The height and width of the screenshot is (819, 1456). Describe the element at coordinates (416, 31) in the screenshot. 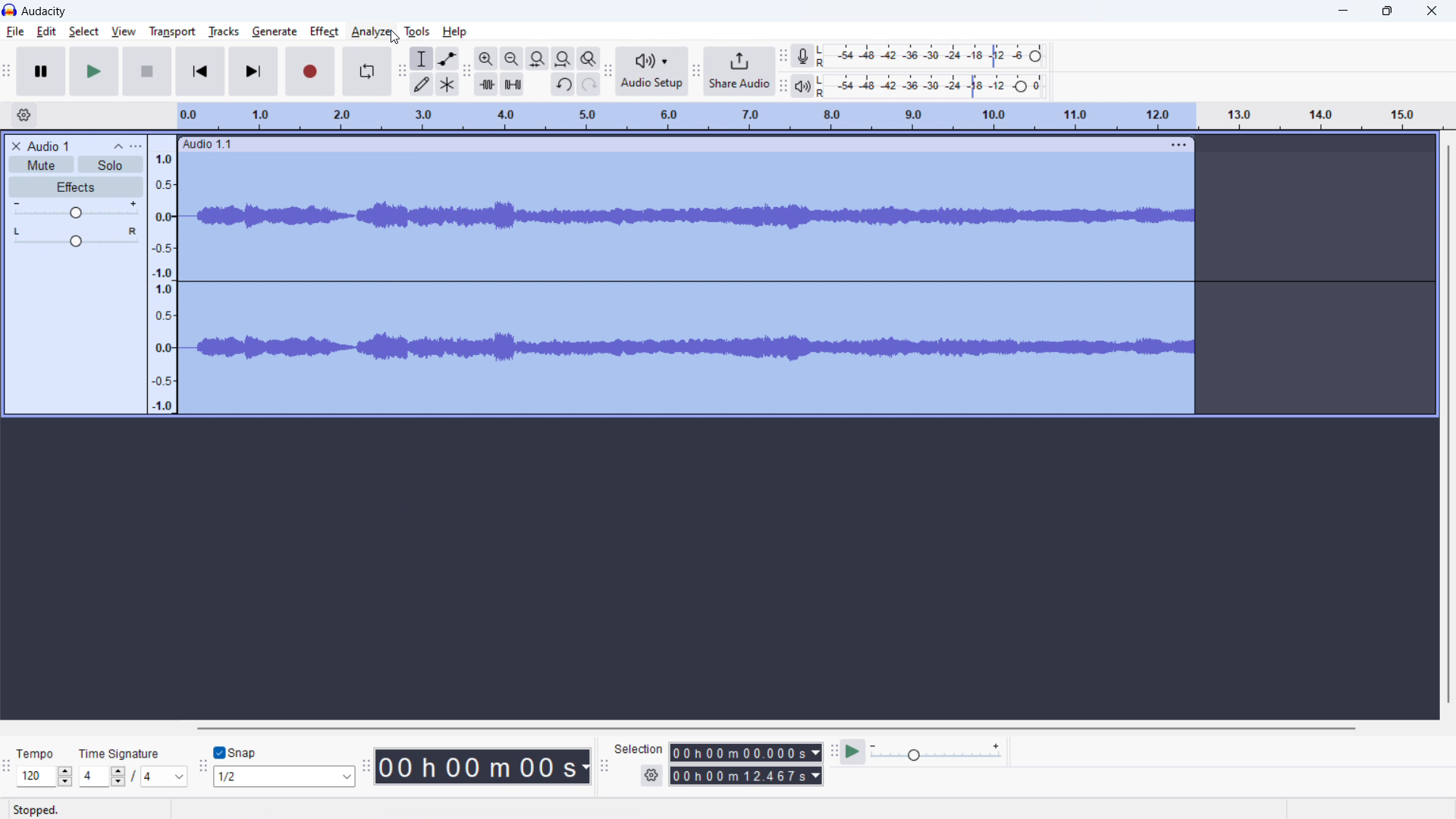

I see `tools` at that location.